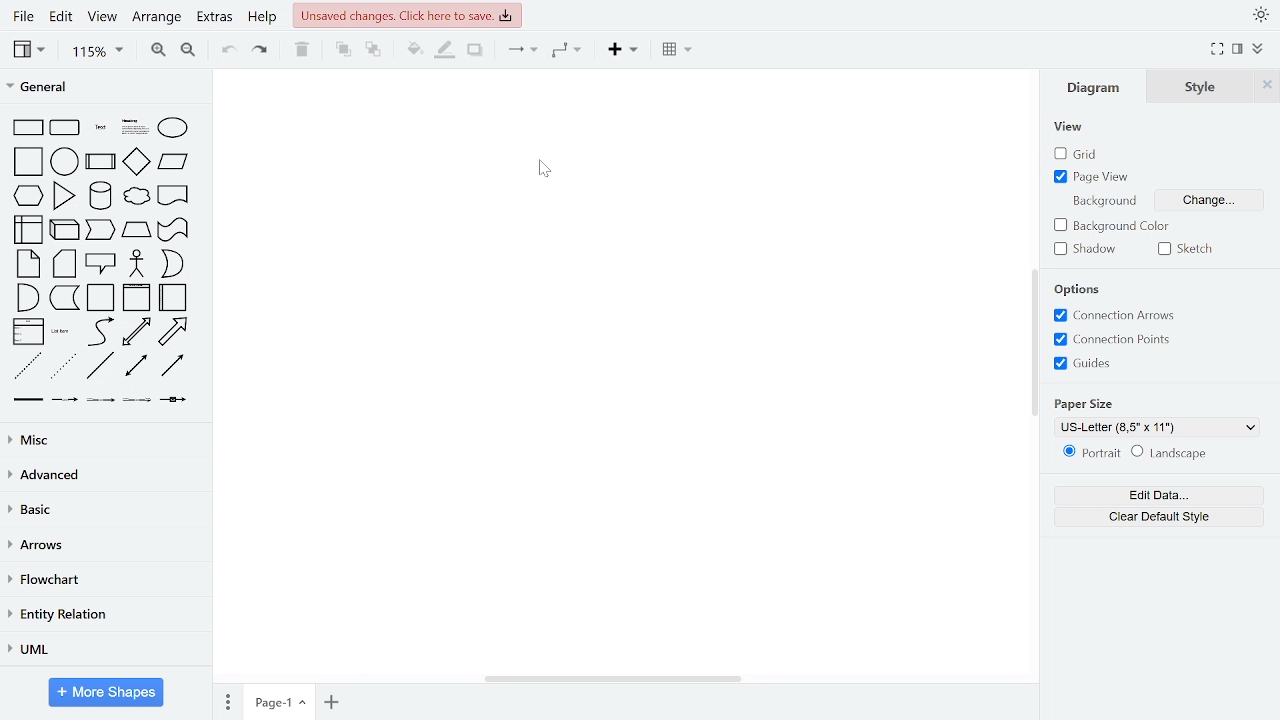 This screenshot has height=720, width=1280. I want to click on arrange, so click(159, 17).